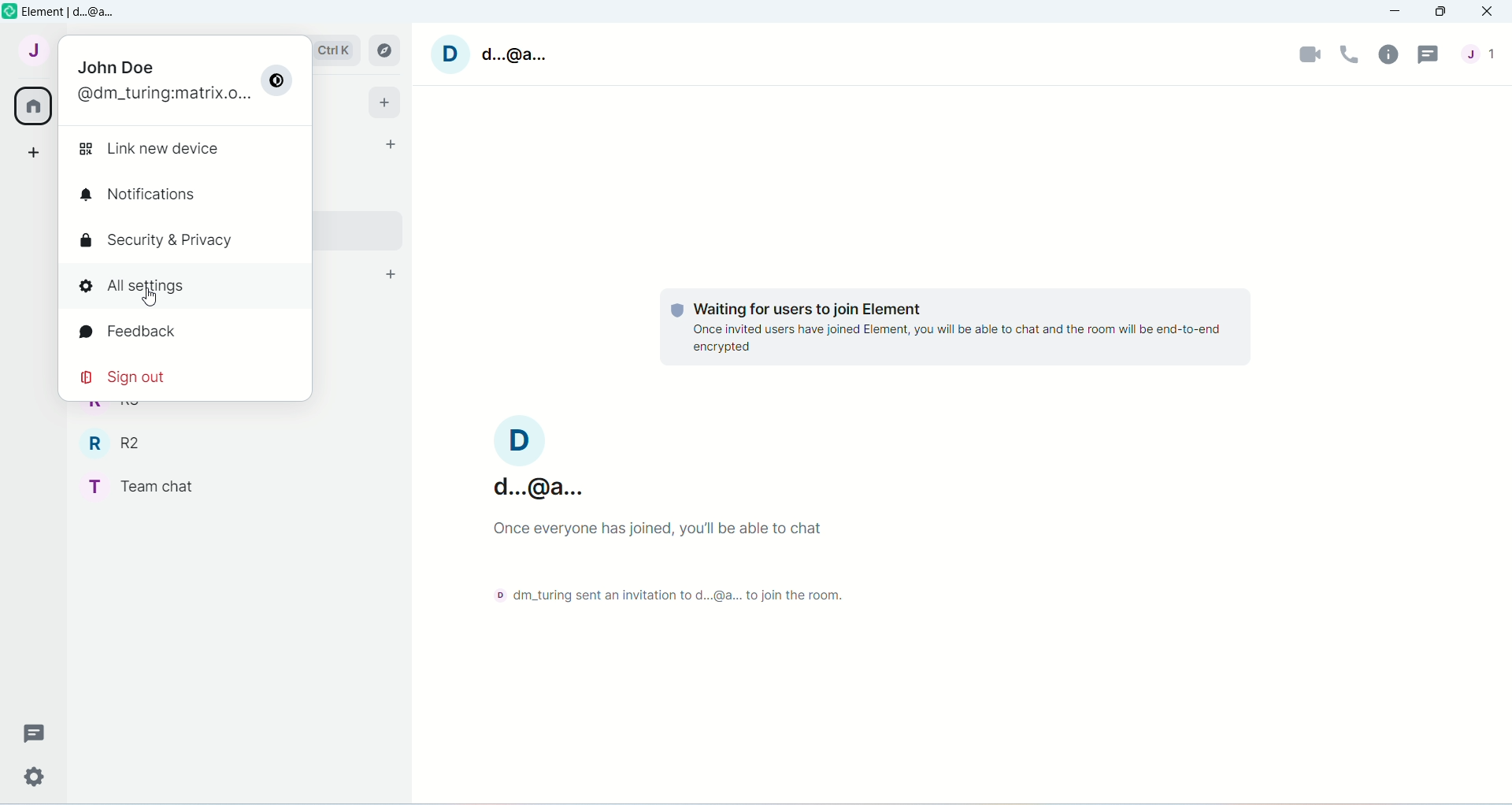  I want to click on Room R2, so click(114, 440).